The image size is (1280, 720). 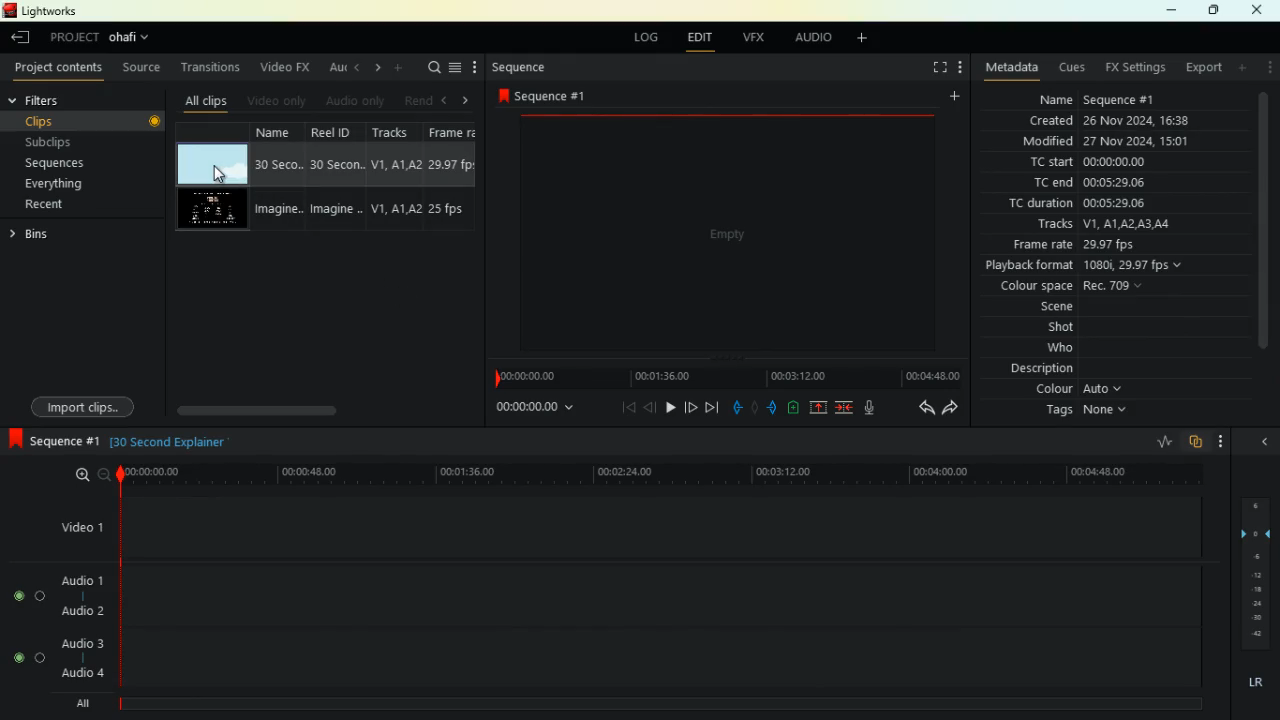 What do you see at coordinates (725, 235) in the screenshot?
I see `screen` at bounding box center [725, 235].